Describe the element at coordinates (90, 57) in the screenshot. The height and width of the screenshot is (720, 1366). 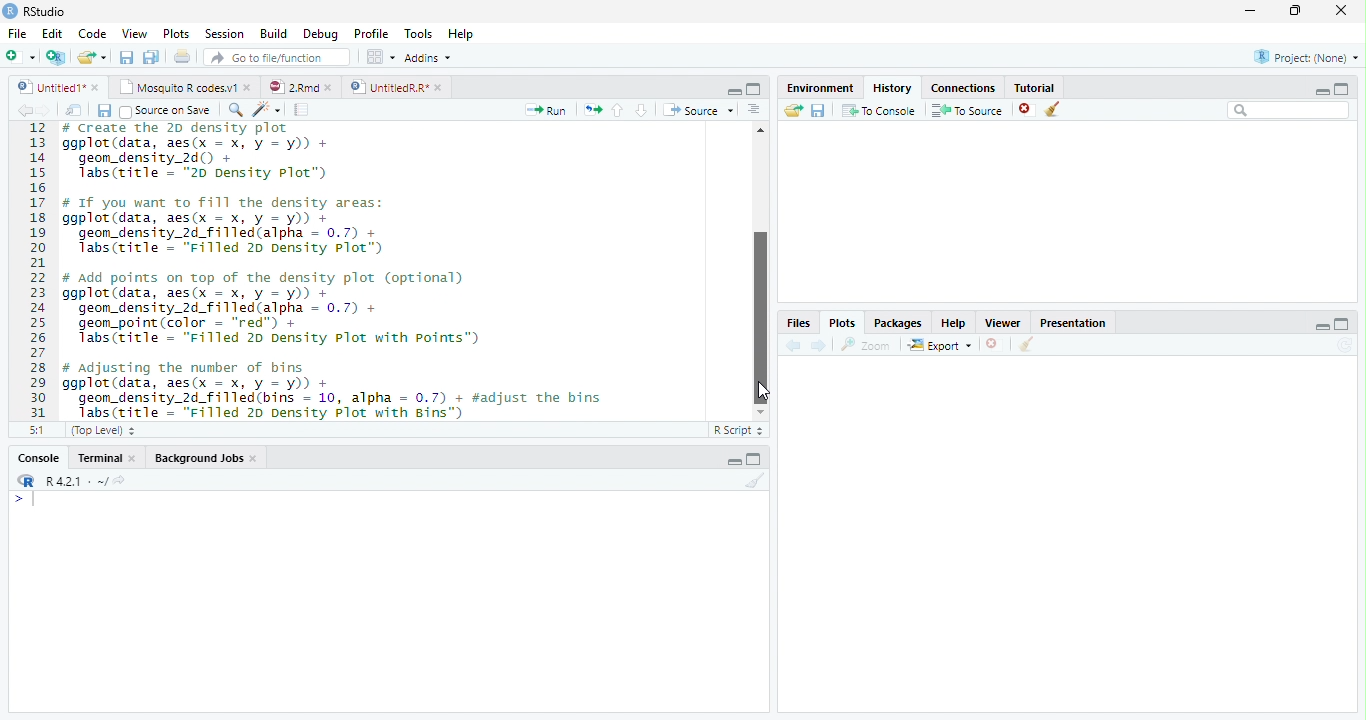
I see `open an existing file` at that location.